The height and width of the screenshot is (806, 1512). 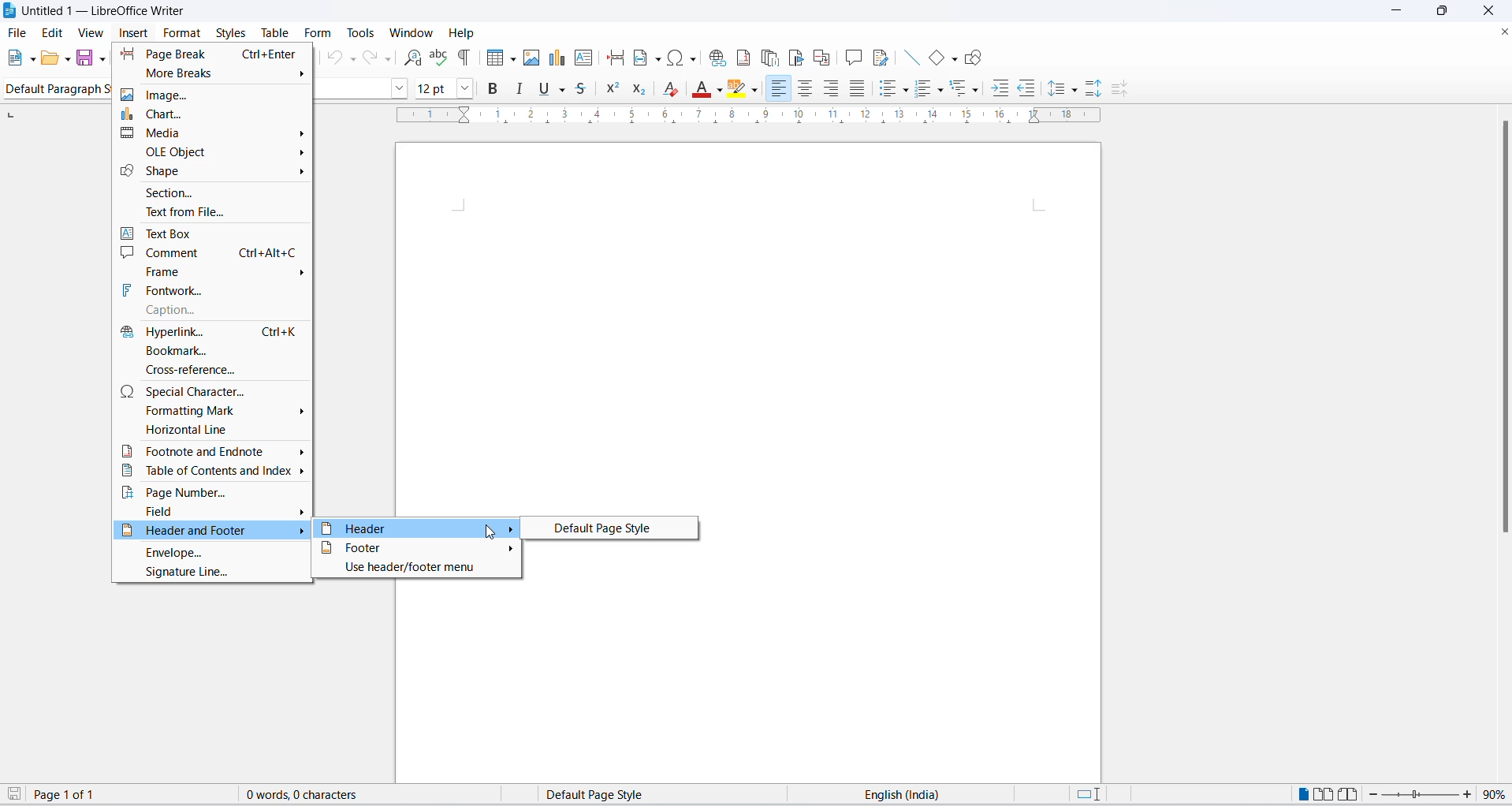 What do you see at coordinates (674, 88) in the screenshot?
I see `clear direct formatting` at bounding box center [674, 88].